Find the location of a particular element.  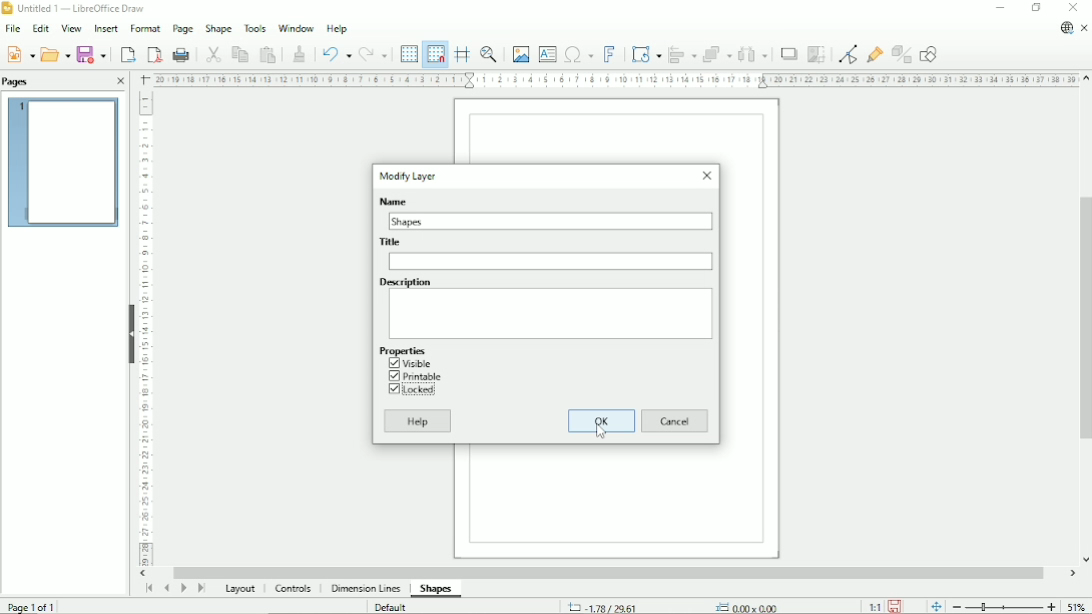

New is located at coordinates (22, 54).